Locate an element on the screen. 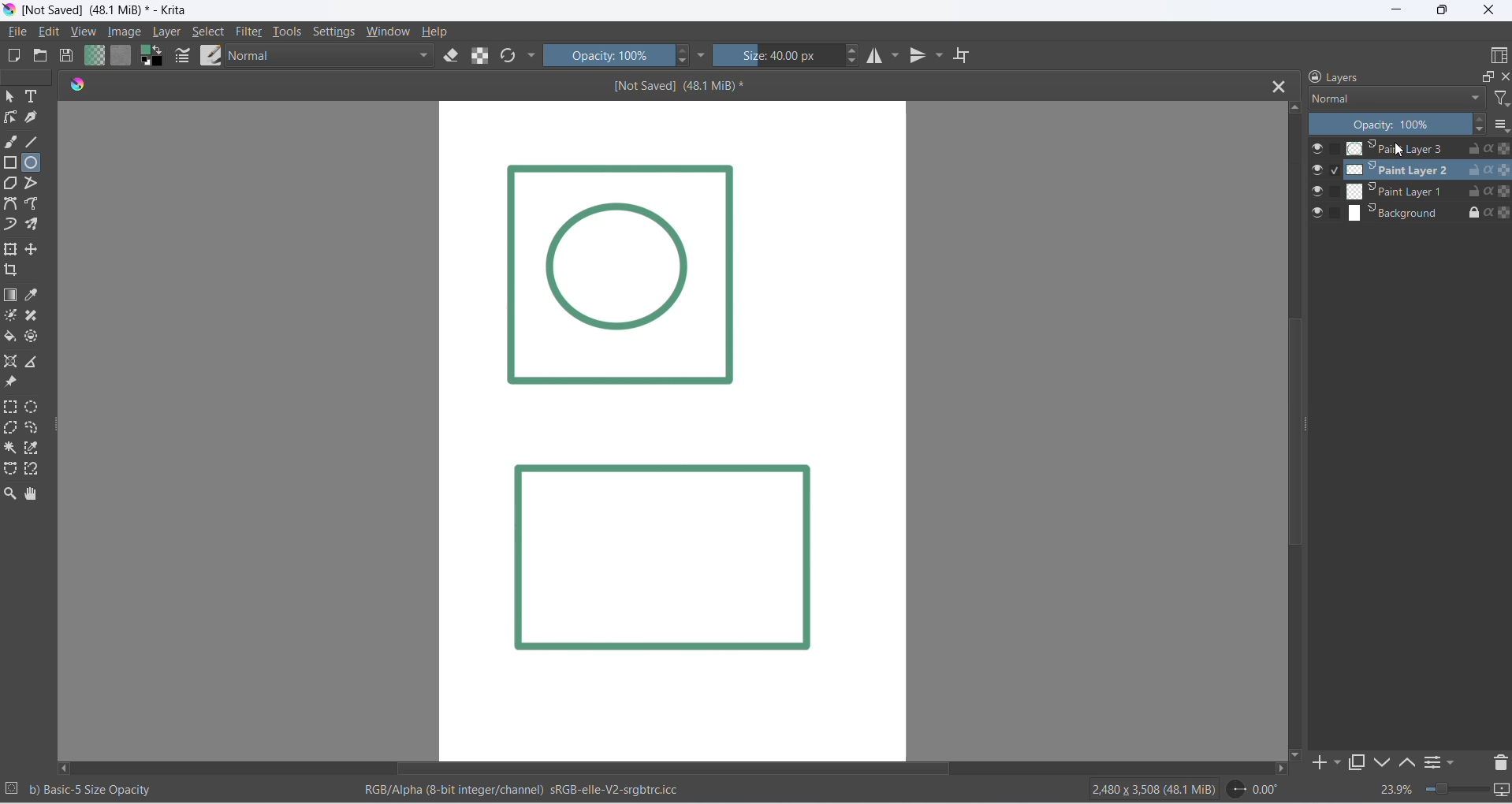 This screenshot has height=804, width=1512. checkbox is located at coordinates (1333, 212).